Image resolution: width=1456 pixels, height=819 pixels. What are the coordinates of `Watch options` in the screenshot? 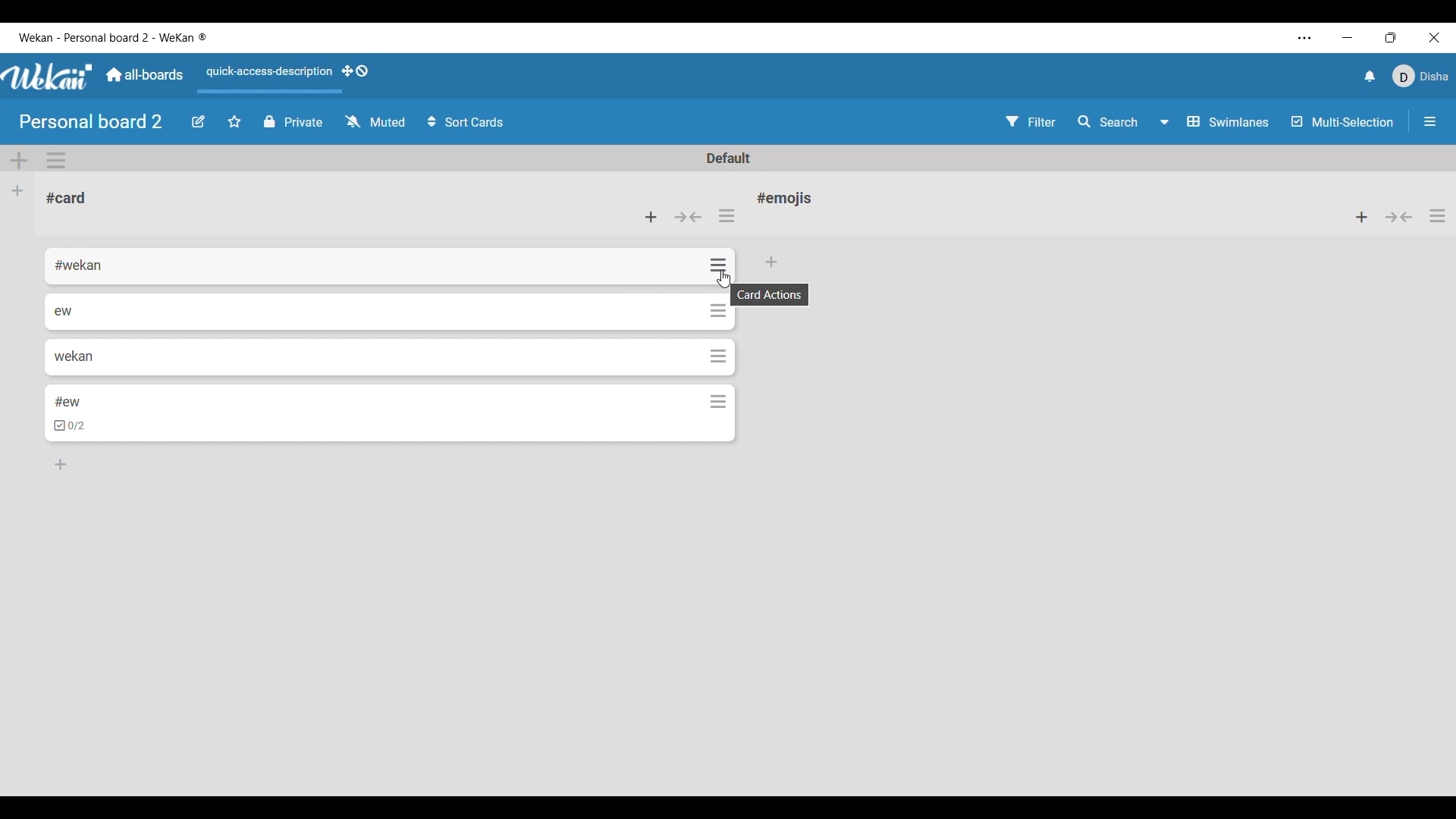 It's located at (375, 121).